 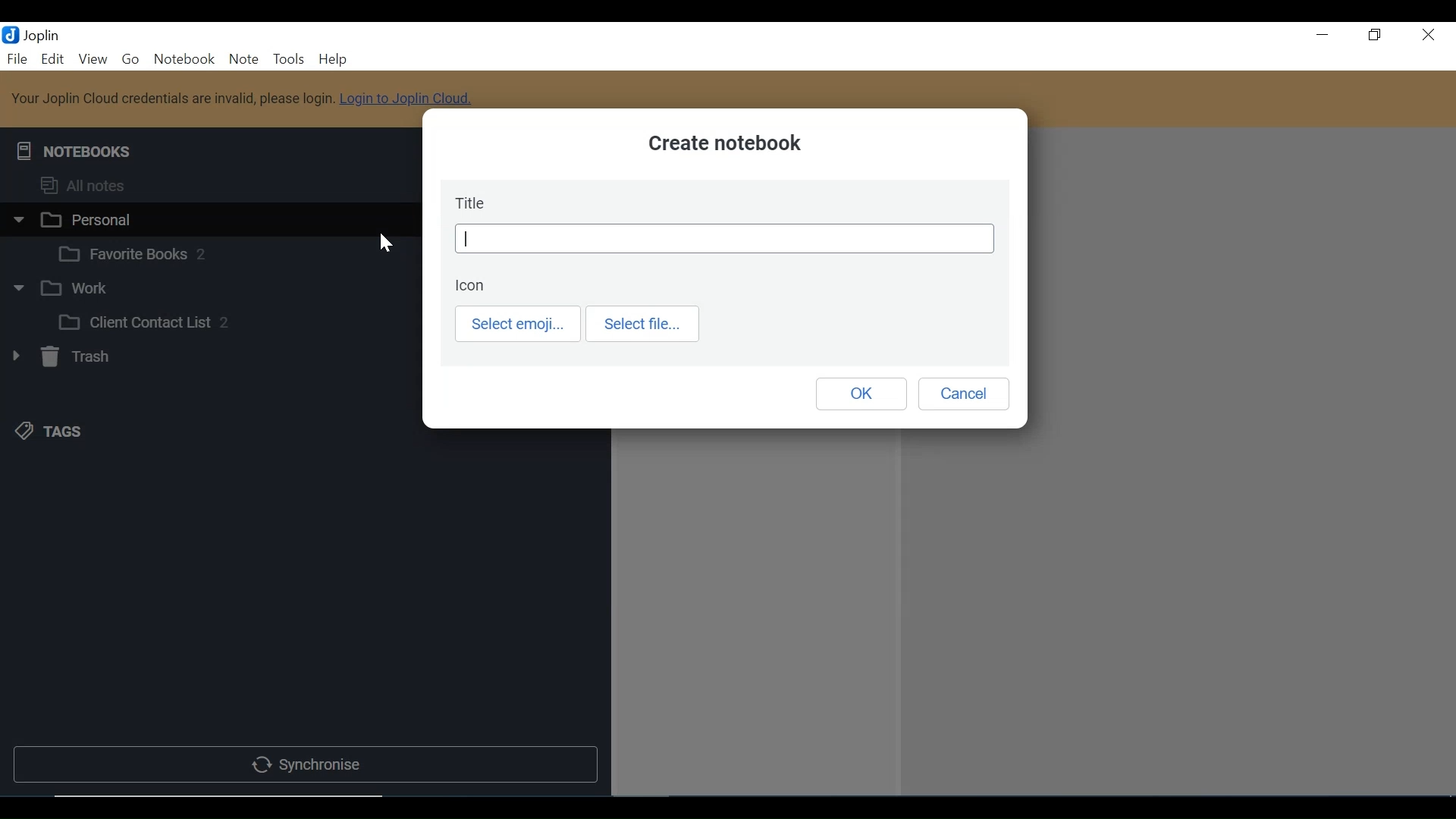 What do you see at coordinates (43, 35) in the screenshot?
I see `Joplin` at bounding box center [43, 35].